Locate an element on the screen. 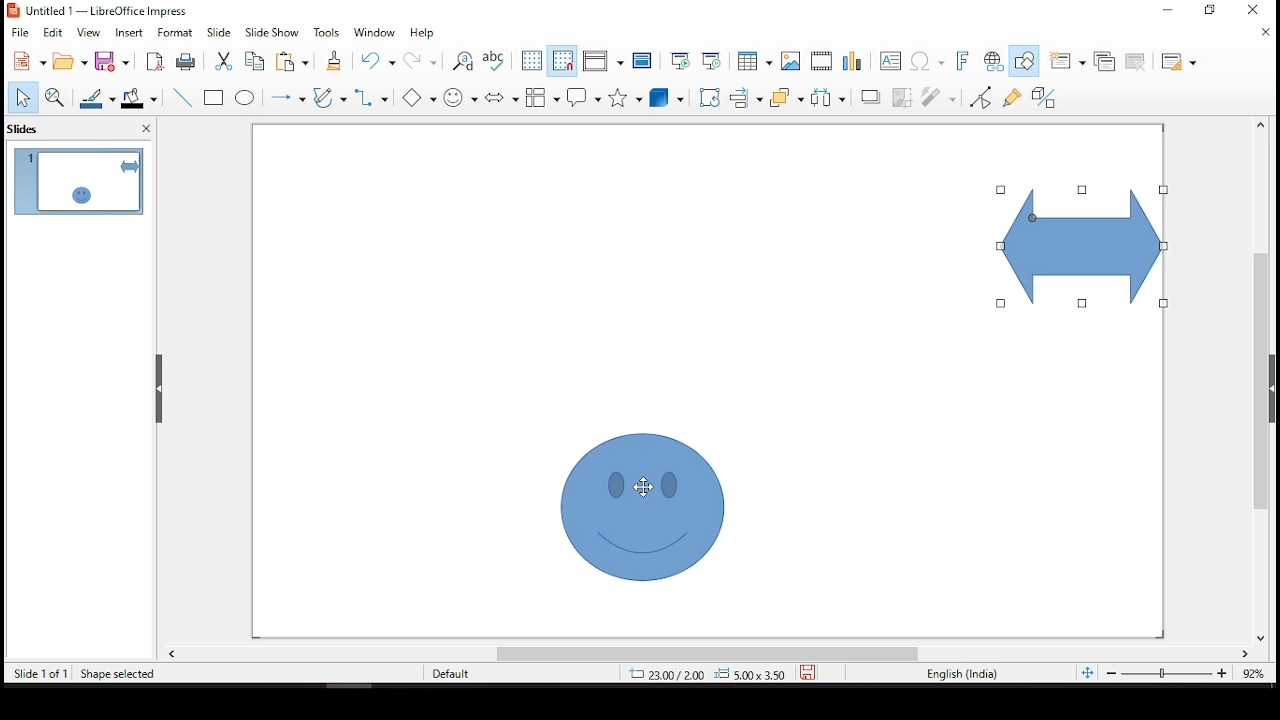 The width and height of the screenshot is (1280, 720). line is located at coordinates (182, 98).